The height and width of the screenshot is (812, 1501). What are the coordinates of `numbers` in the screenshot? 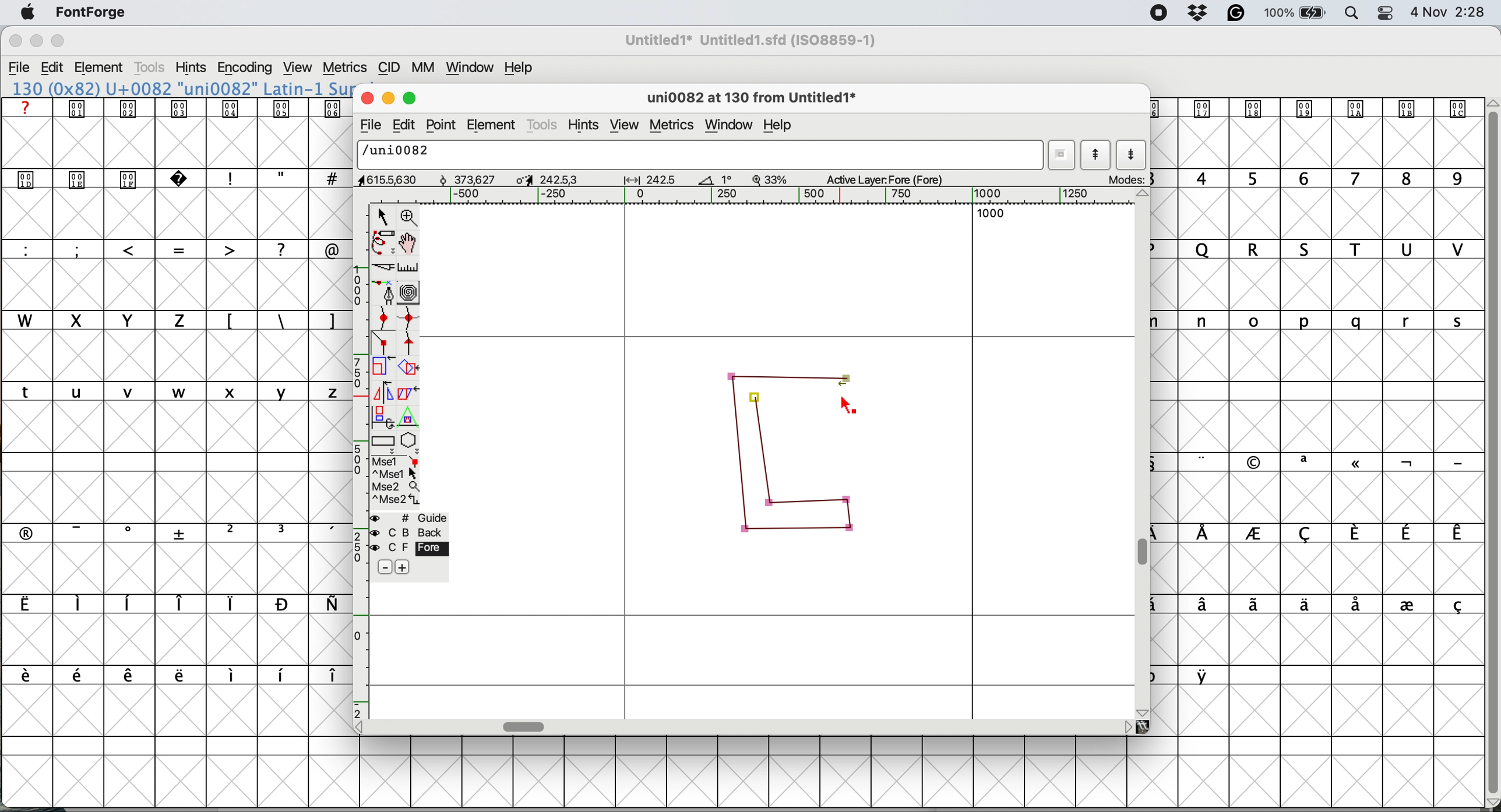 It's located at (1320, 178).